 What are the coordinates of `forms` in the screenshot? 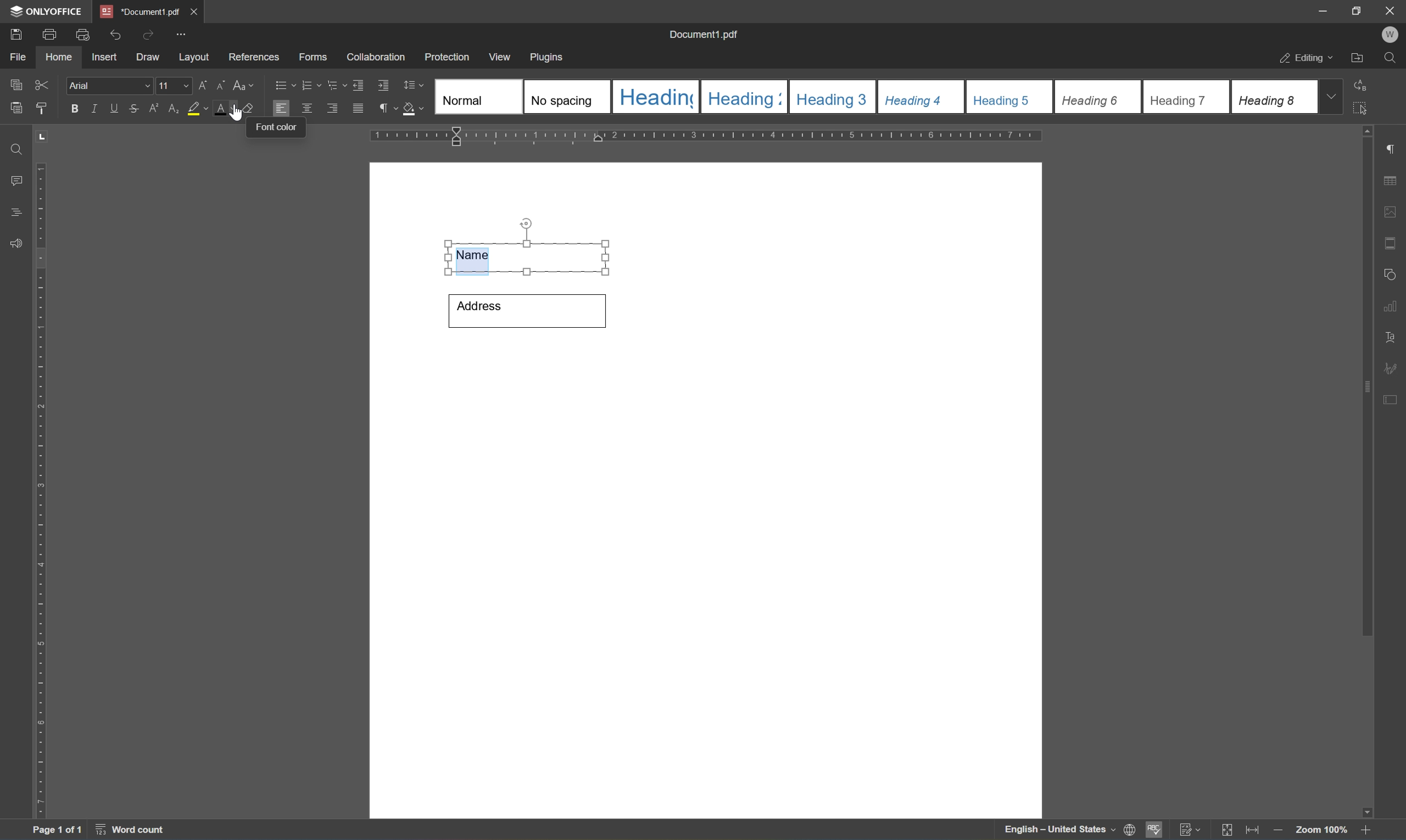 It's located at (312, 57).